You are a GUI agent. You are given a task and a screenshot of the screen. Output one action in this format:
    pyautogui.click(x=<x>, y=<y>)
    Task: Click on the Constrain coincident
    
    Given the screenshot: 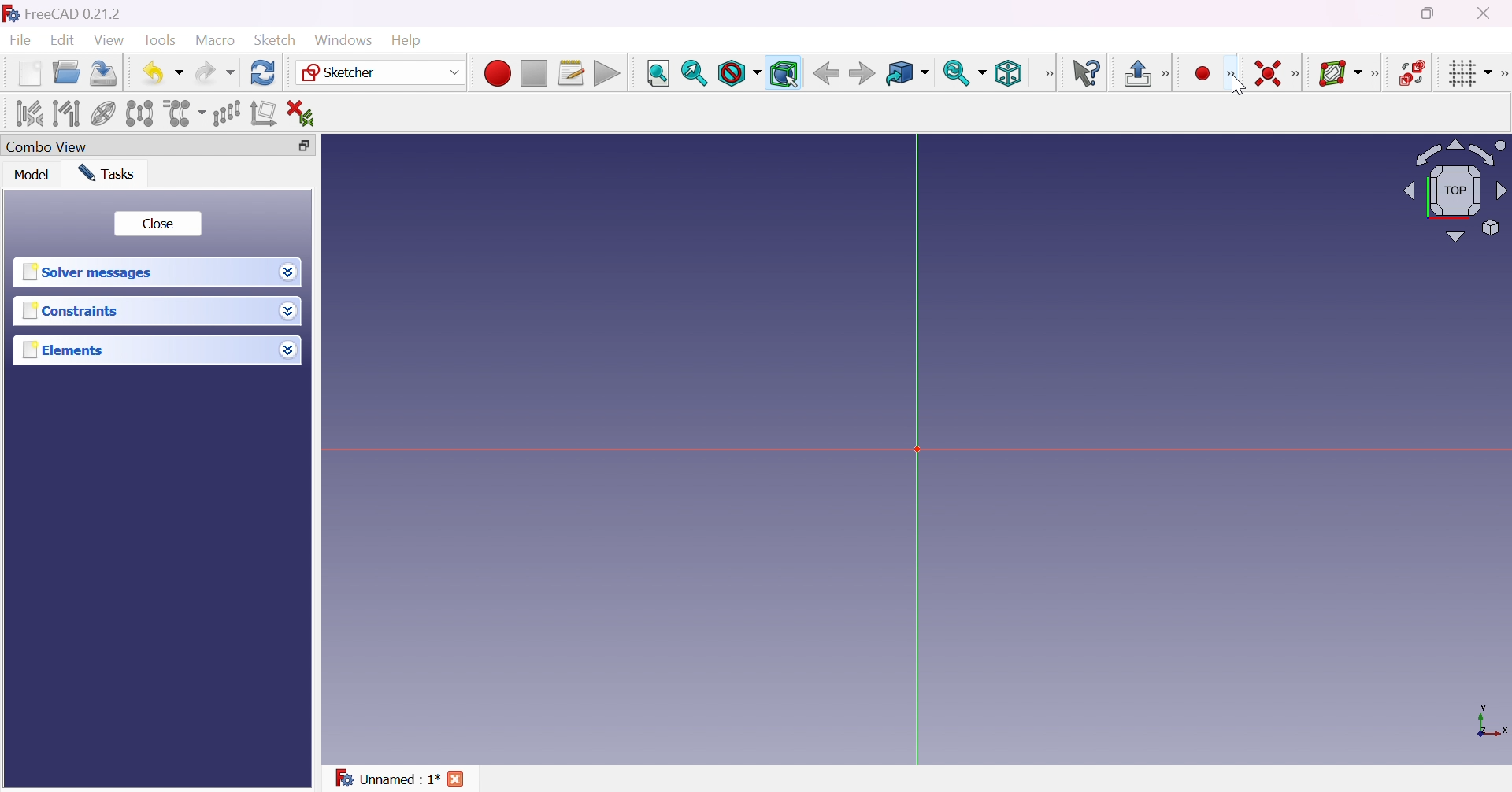 What is the action you would take?
    pyautogui.click(x=1266, y=73)
    